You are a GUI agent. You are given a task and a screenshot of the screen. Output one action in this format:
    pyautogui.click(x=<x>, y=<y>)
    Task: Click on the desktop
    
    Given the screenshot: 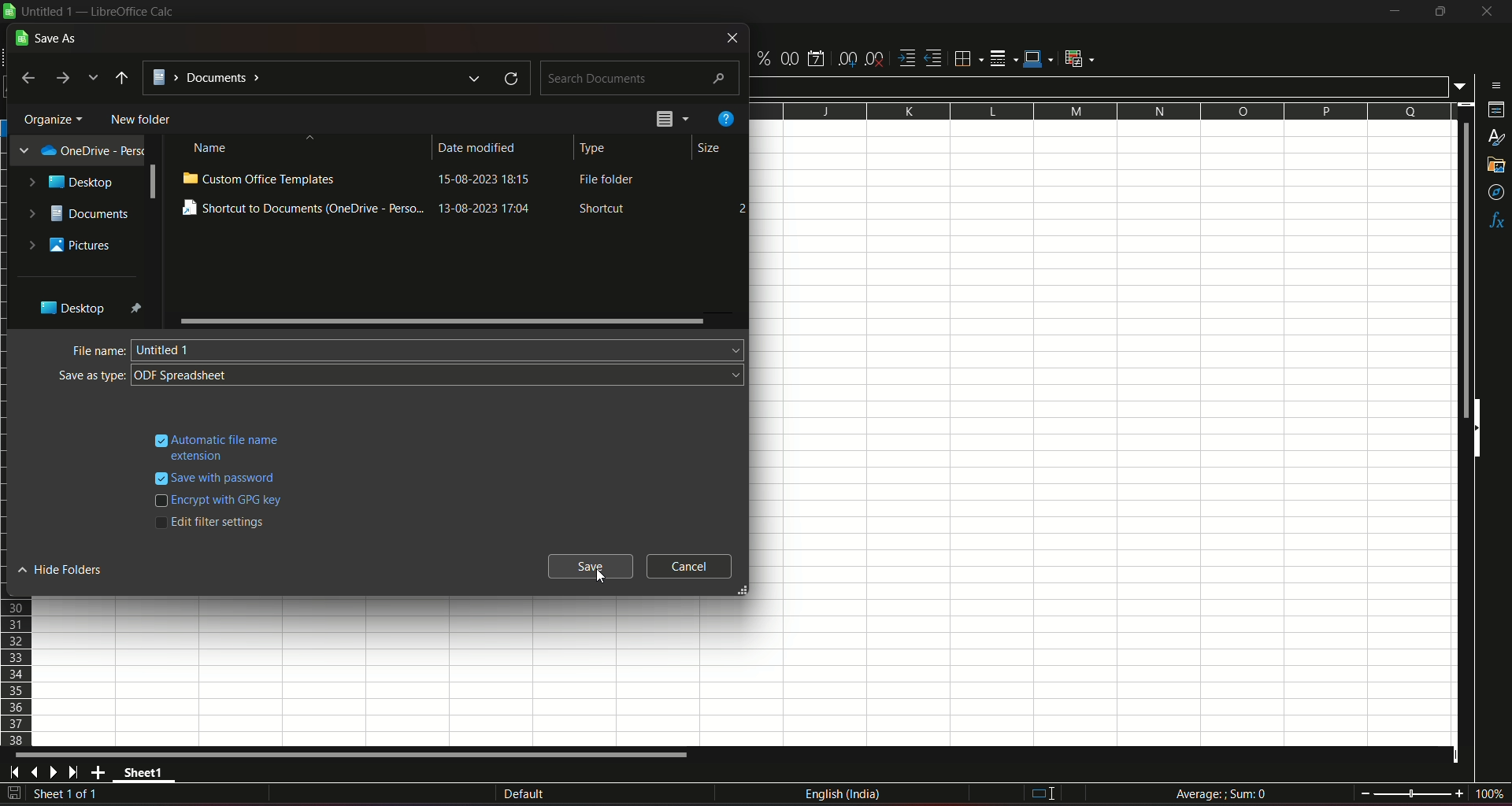 What is the action you would take?
    pyautogui.click(x=74, y=182)
    